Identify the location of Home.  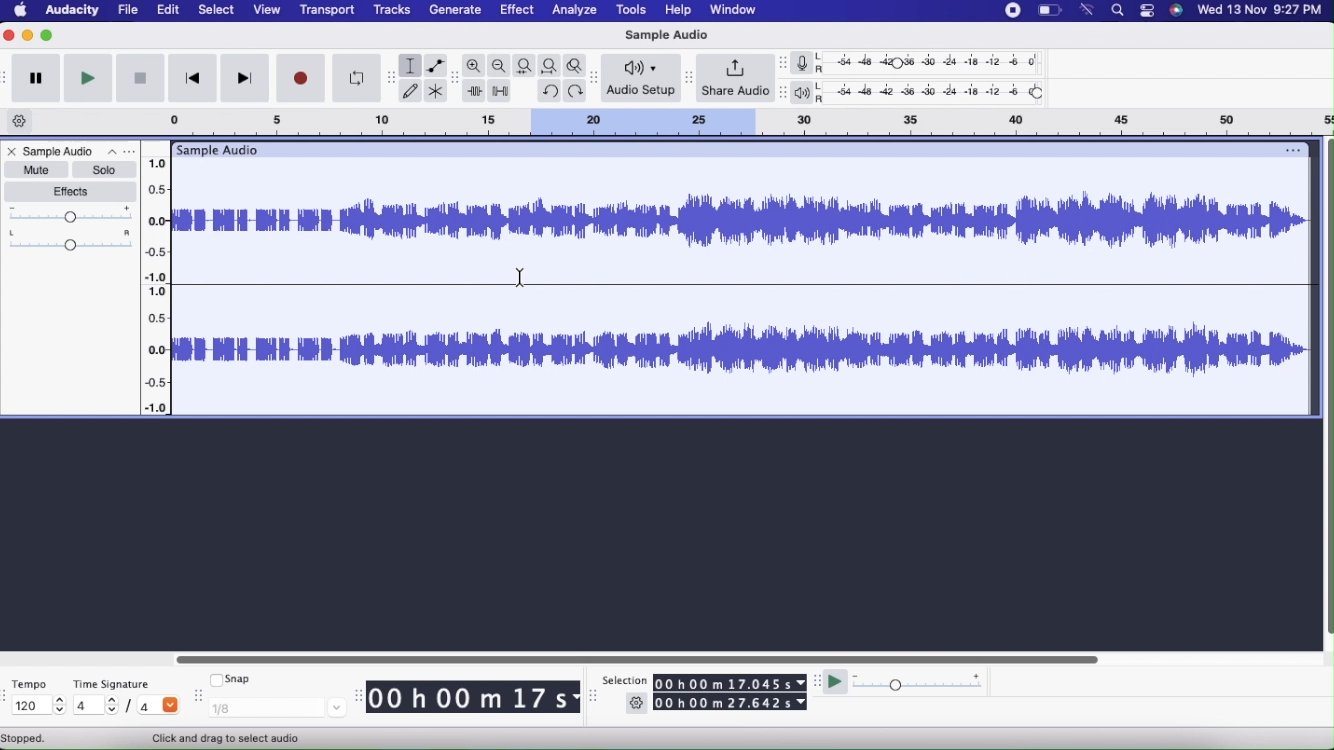
(21, 9).